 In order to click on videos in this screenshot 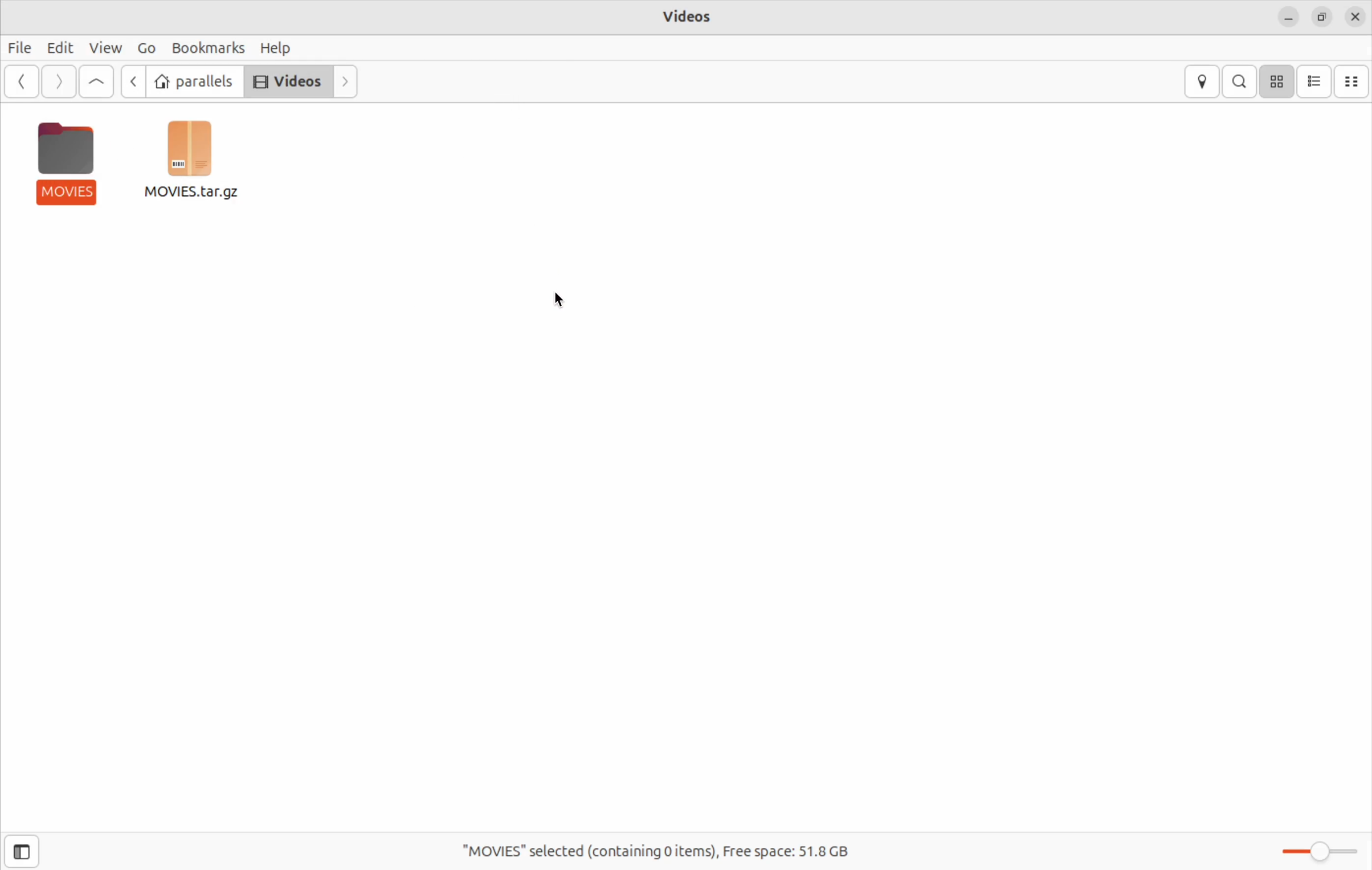, I will do `click(692, 19)`.